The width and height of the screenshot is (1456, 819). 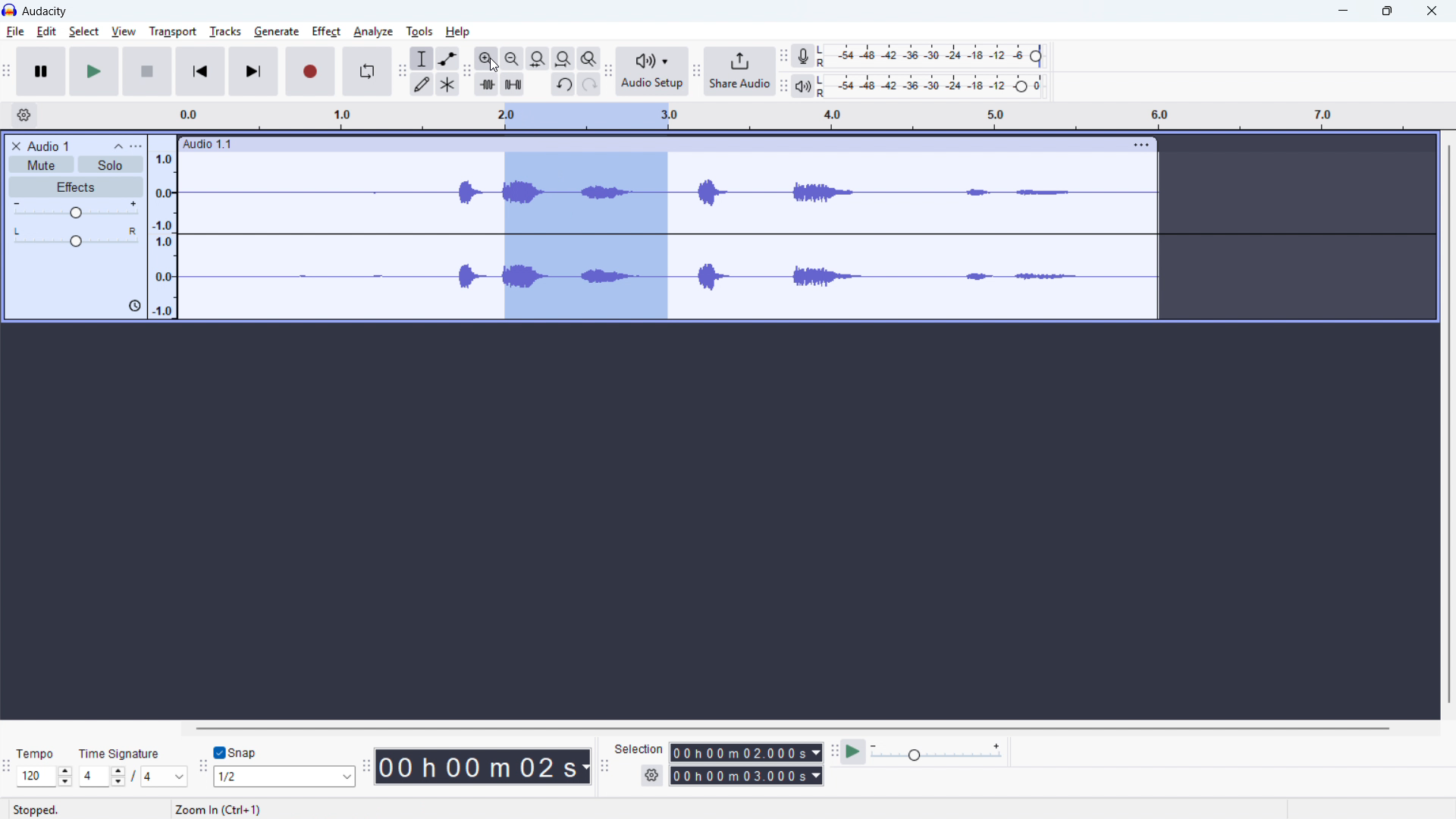 I want to click on Share audio toolbar, so click(x=697, y=72).